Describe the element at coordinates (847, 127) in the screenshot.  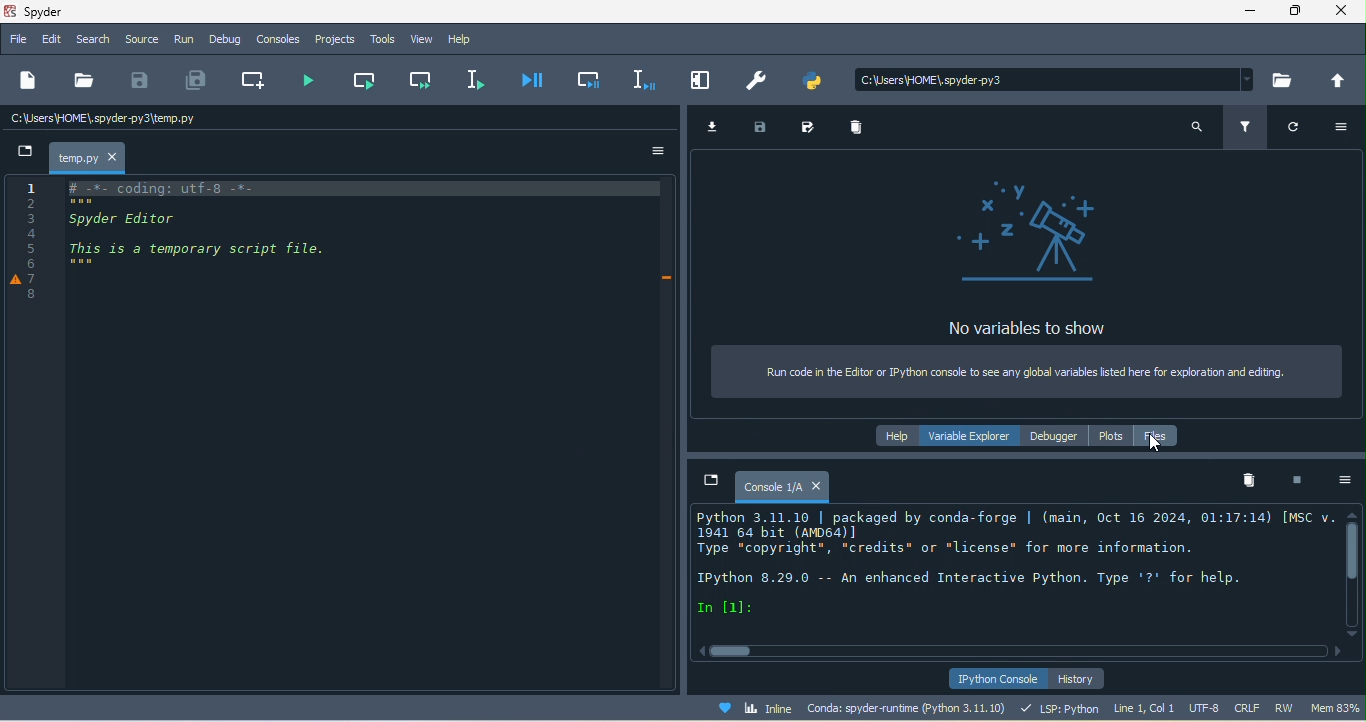
I see `remove` at that location.